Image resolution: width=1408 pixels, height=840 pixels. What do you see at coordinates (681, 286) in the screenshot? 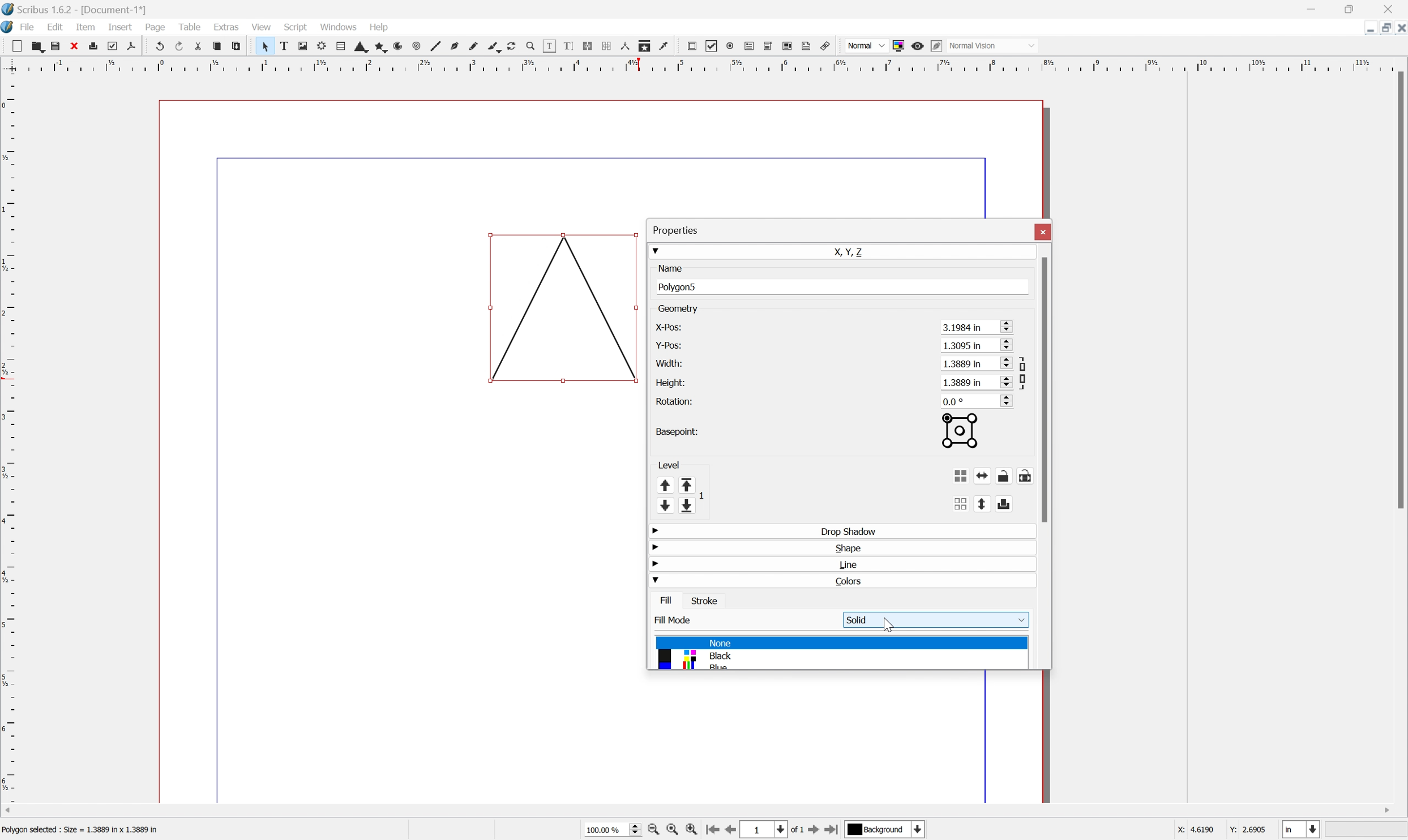
I see `Polygon5` at bounding box center [681, 286].